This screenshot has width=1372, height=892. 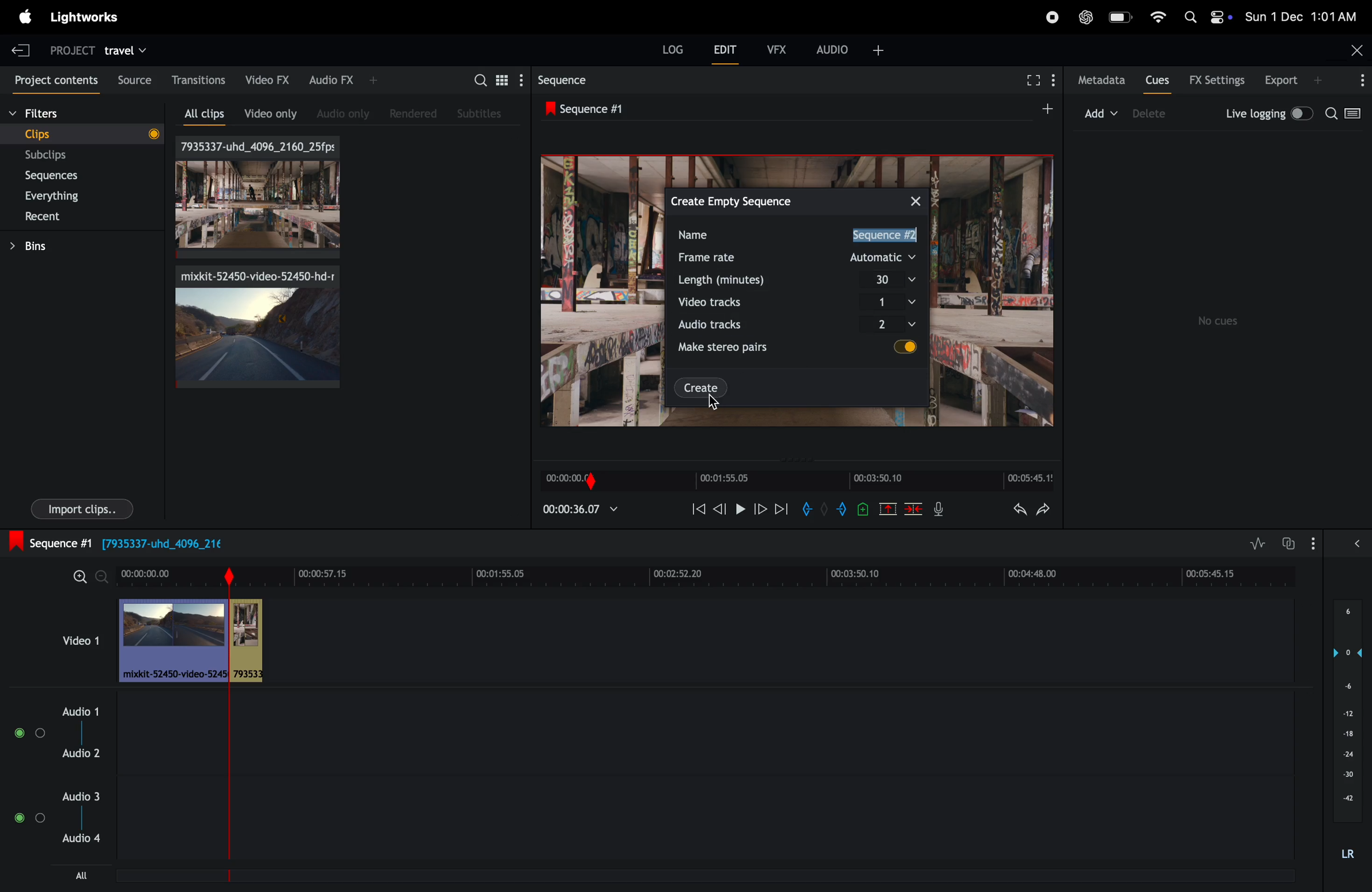 I want to click on subclips, so click(x=76, y=156).